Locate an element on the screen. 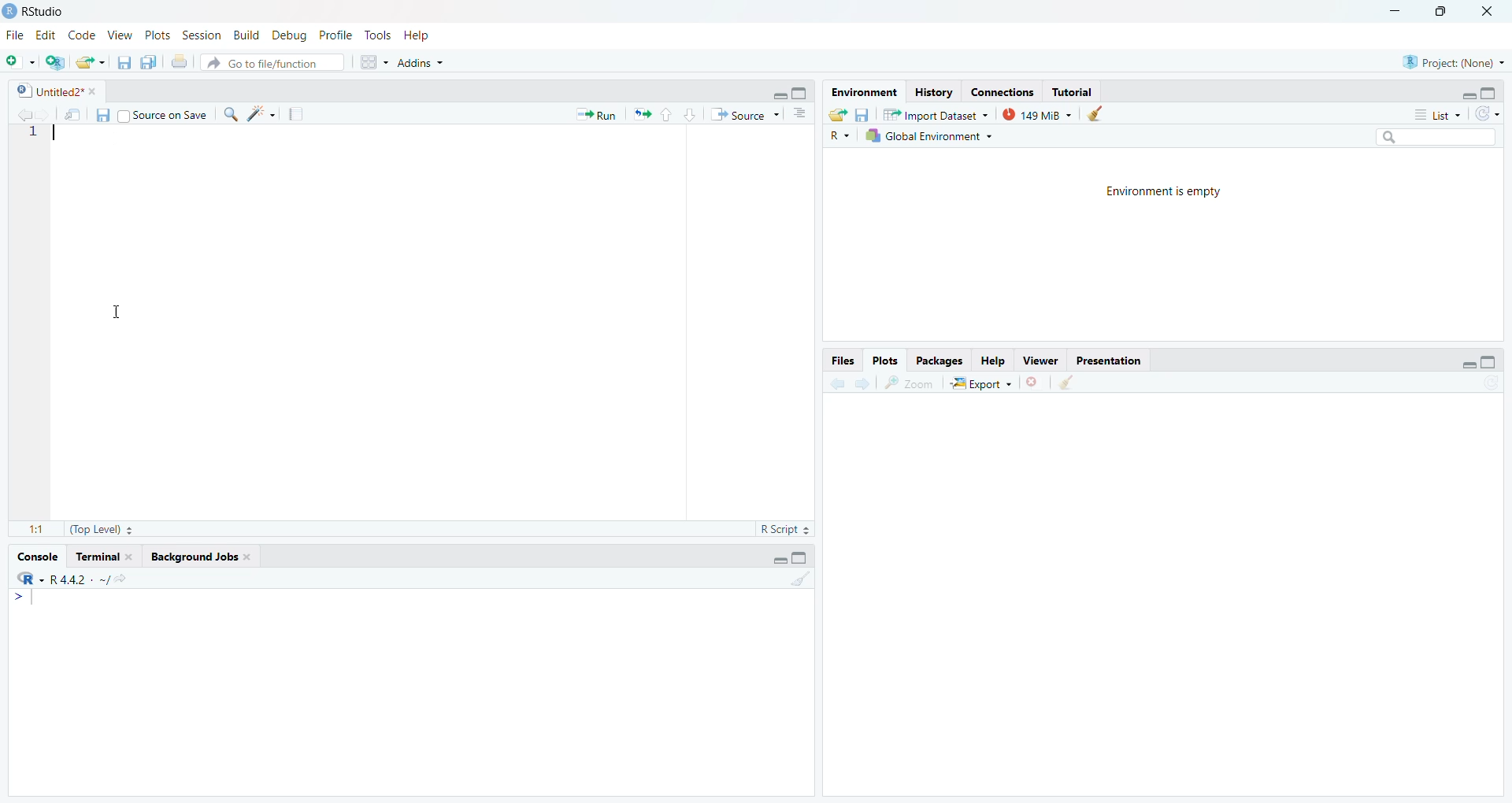 The height and width of the screenshot is (803, 1512). Miniimize is located at coordinates (1394, 10).